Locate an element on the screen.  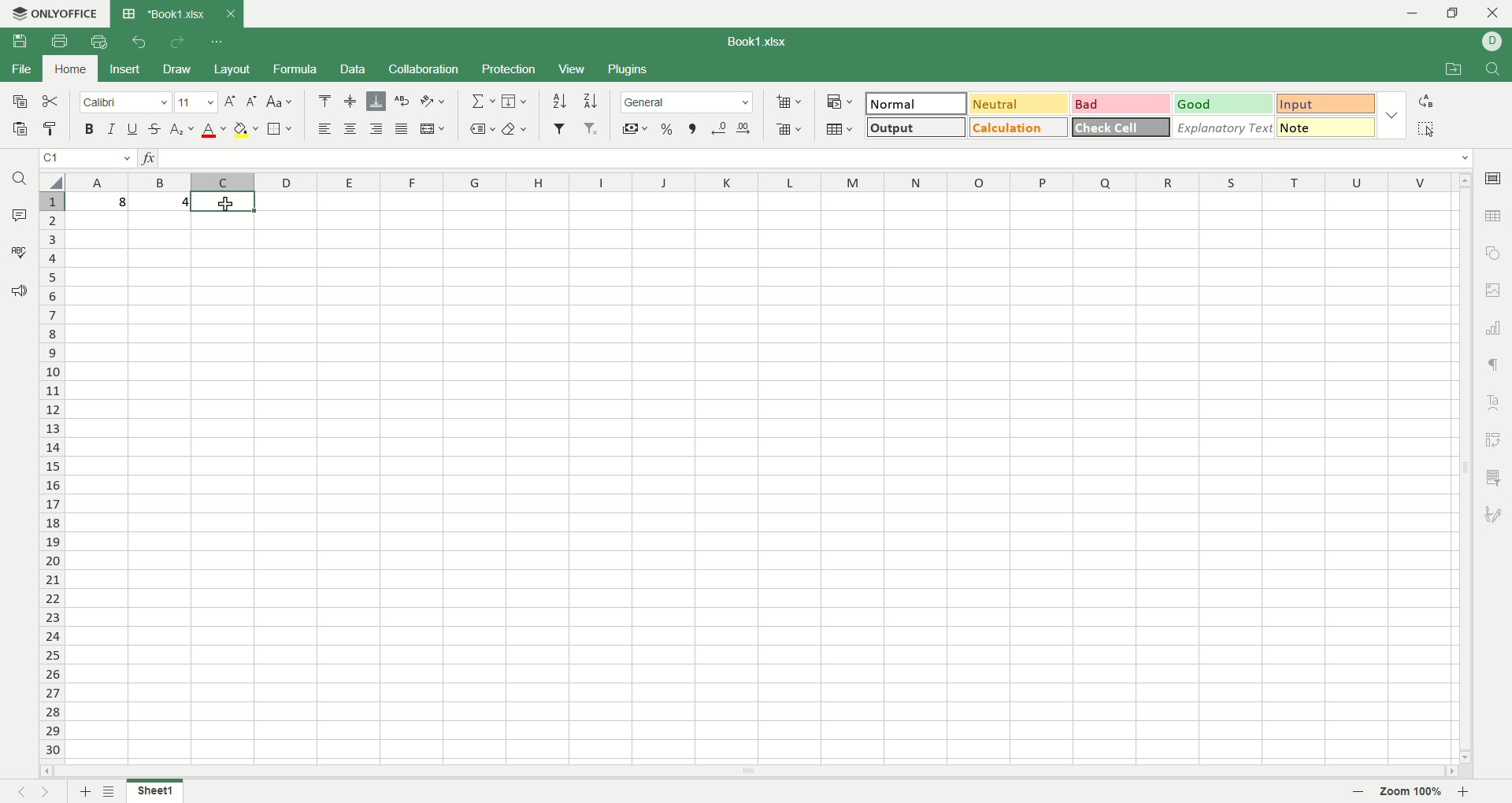
replace is located at coordinates (1429, 104).